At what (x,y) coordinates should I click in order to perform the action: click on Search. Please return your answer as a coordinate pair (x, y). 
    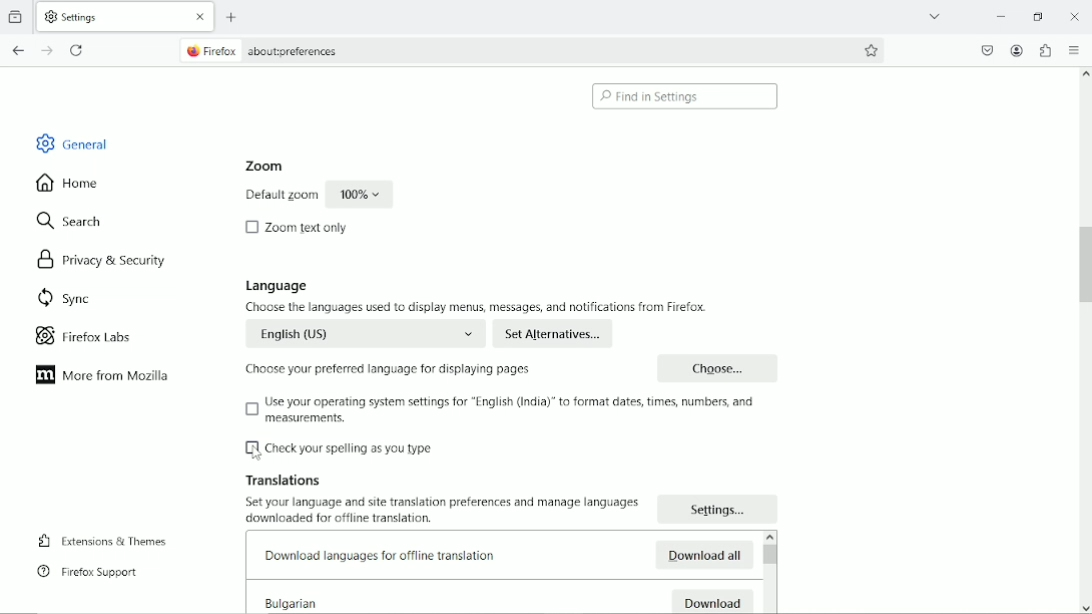
    Looking at the image, I should click on (75, 220).